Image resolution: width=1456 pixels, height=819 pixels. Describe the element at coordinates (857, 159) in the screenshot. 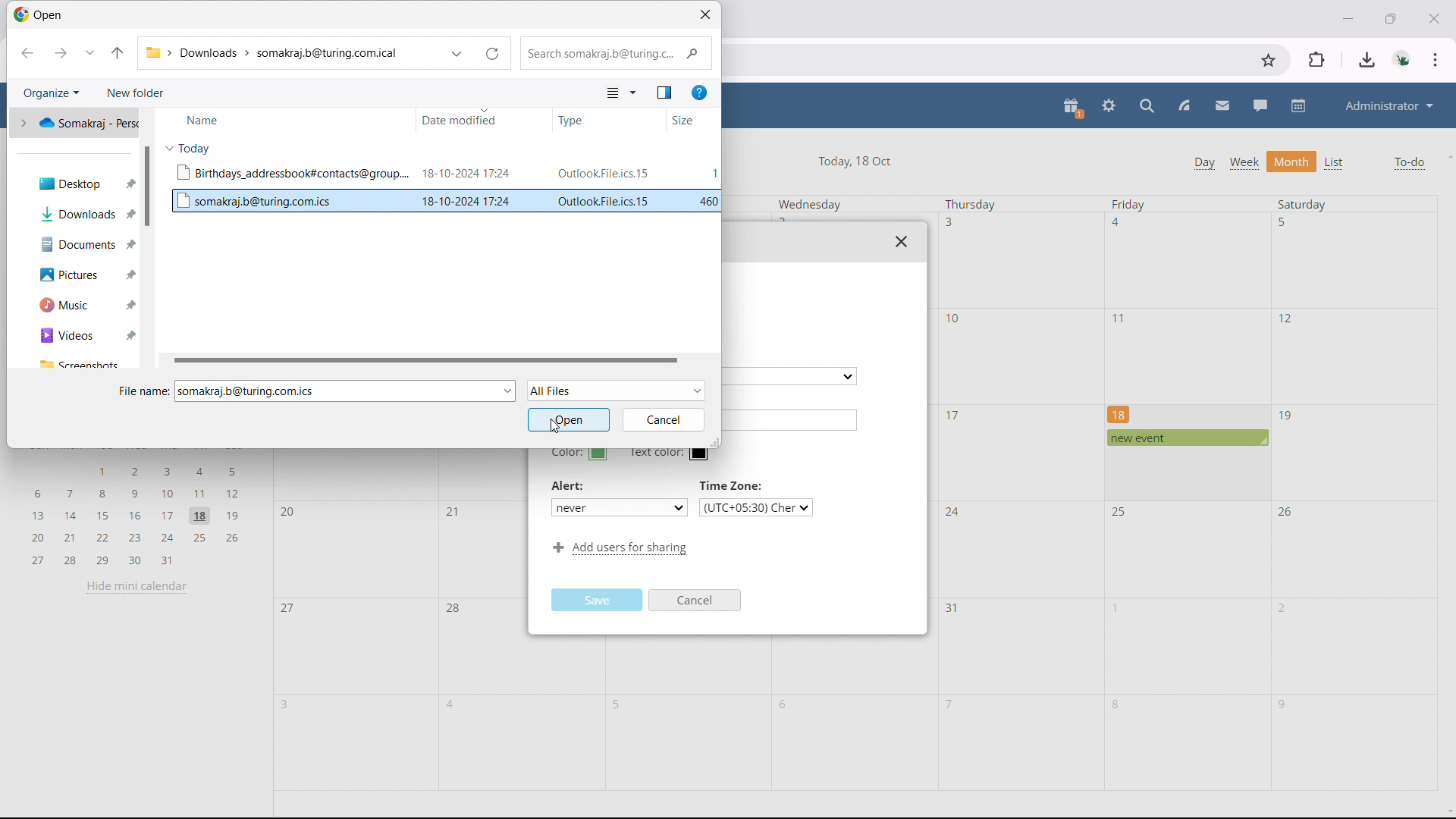

I see `Today, 18 Oct` at that location.